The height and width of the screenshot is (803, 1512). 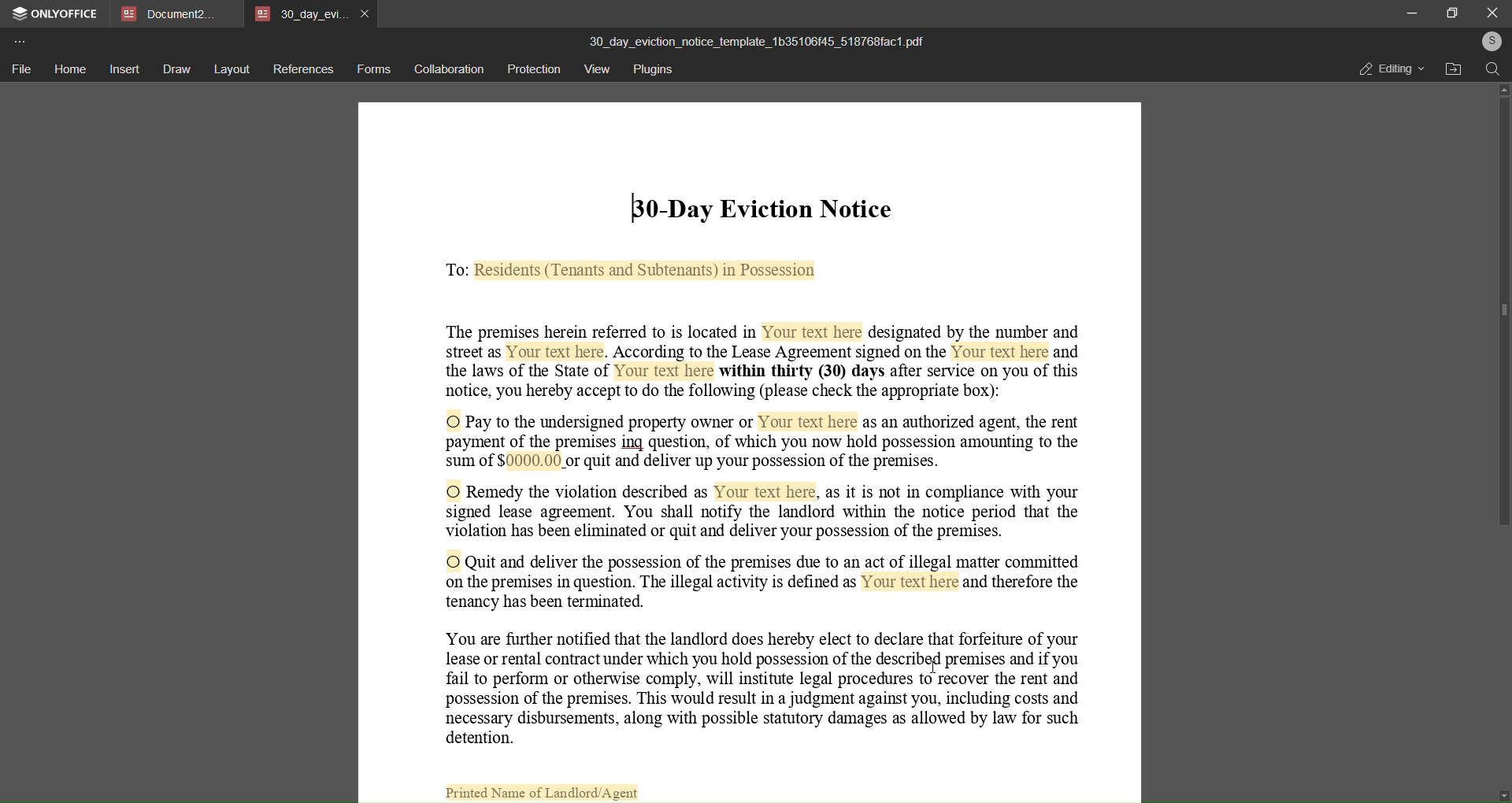 What do you see at coordinates (122, 68) in the screenshot?
I see `insert` at bounding box center [122, 68].